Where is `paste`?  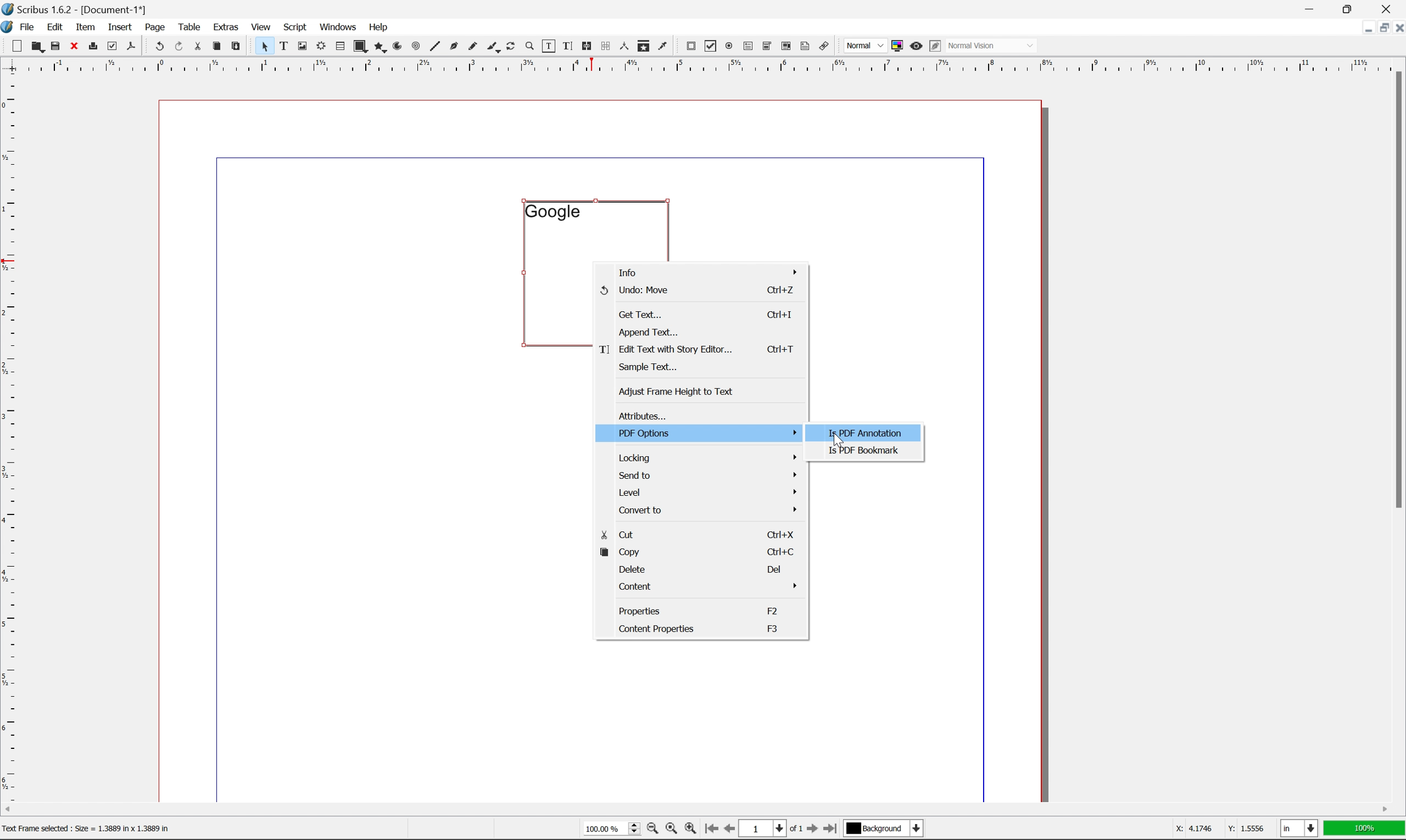 paste is located at coordinates (237, 46).